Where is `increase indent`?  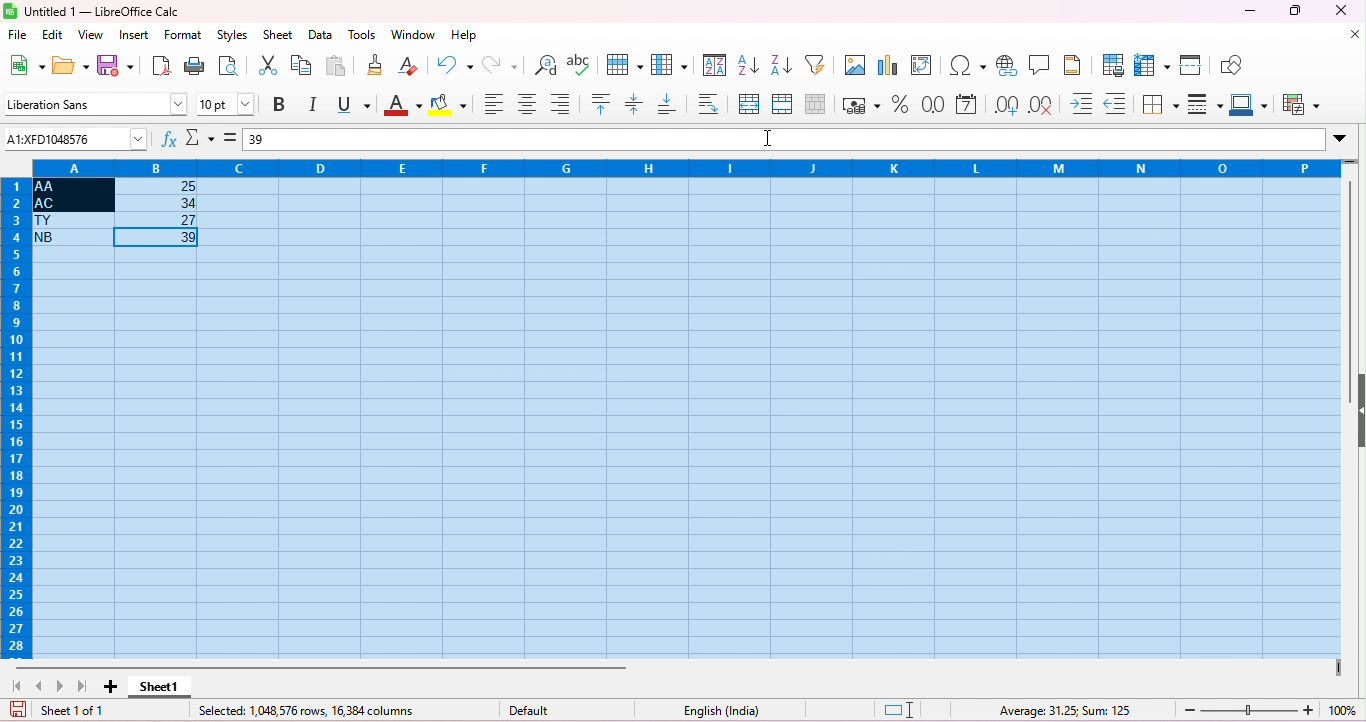 increase indent is located at coordinates (1083, 103).